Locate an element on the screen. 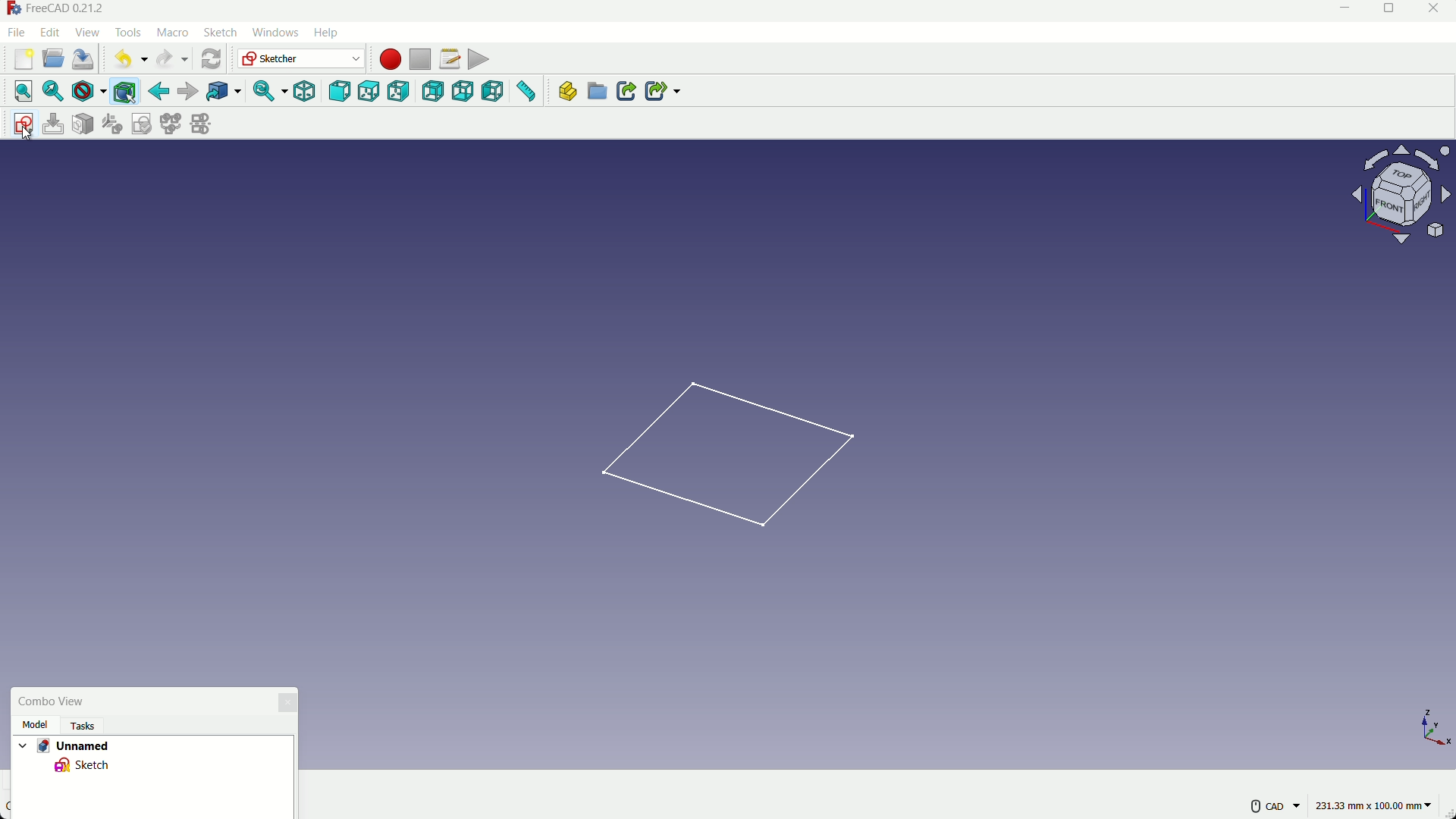 Image resolution: width=1456 pixels, height=819 pixels. sync view is located at coordinates (267, 92).